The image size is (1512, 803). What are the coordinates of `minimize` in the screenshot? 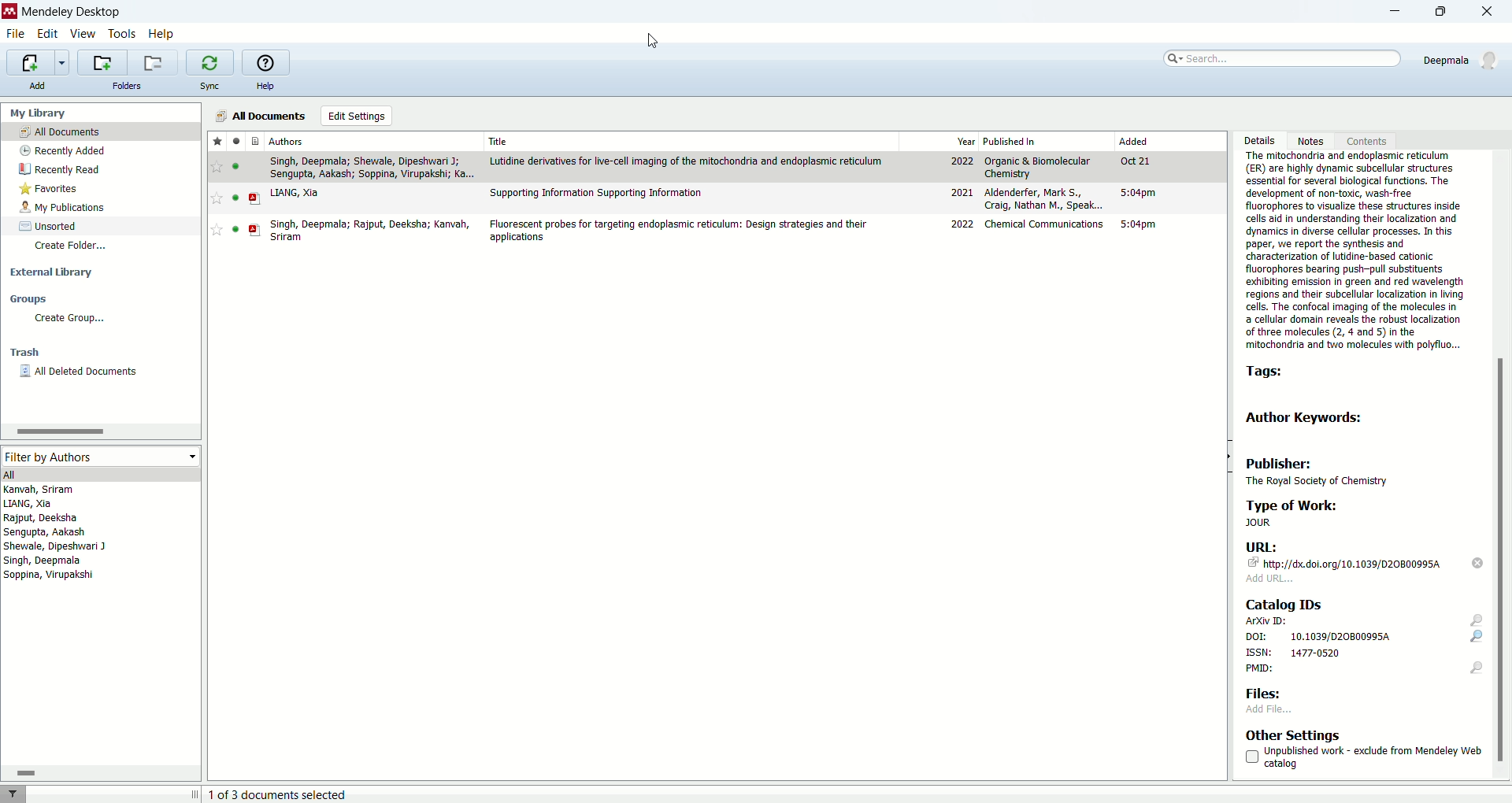 It's located at (1388, 13).